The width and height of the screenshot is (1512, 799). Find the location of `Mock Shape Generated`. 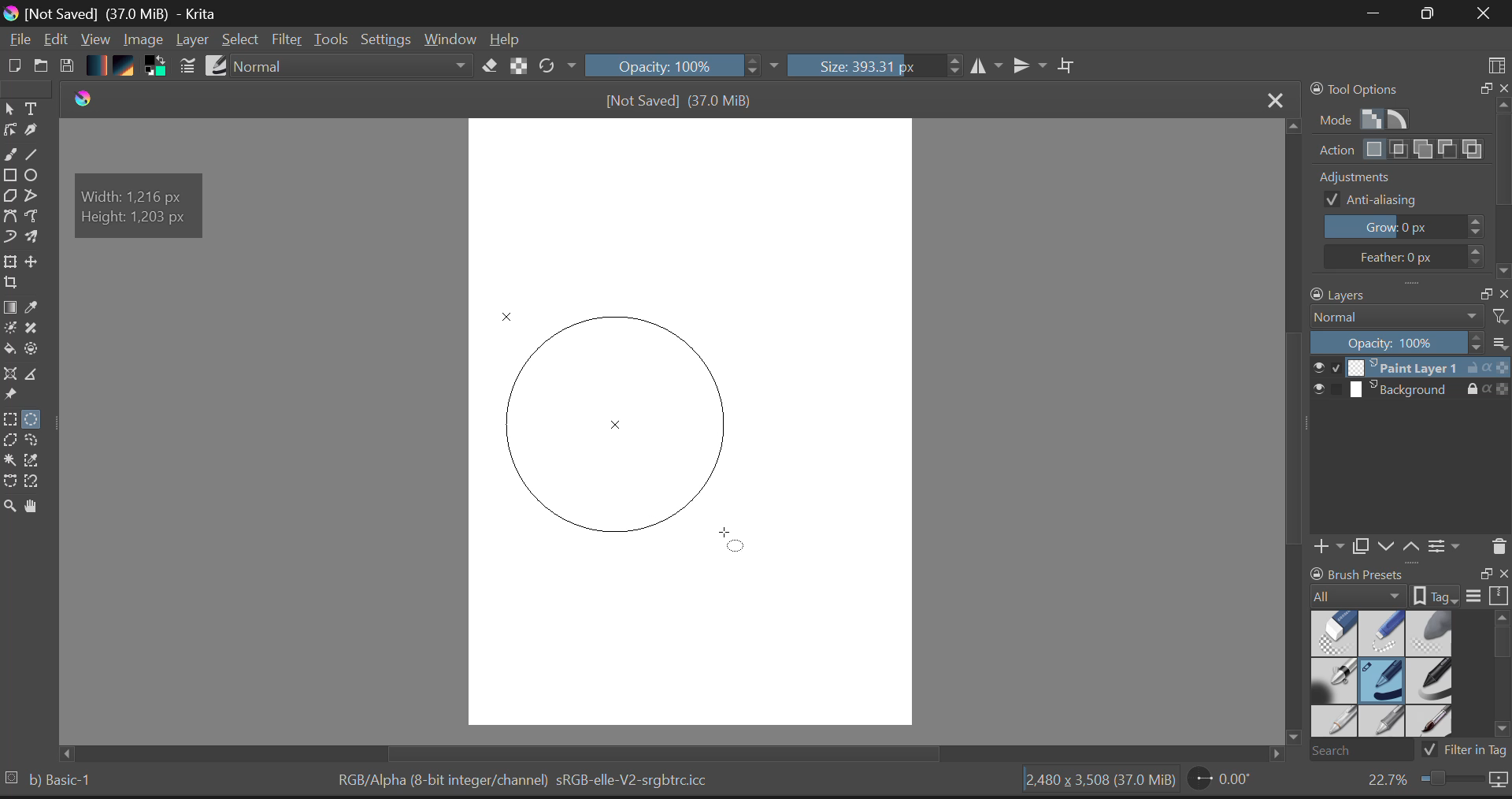

Mock Shape Generated is located at coordinates (609, 418).